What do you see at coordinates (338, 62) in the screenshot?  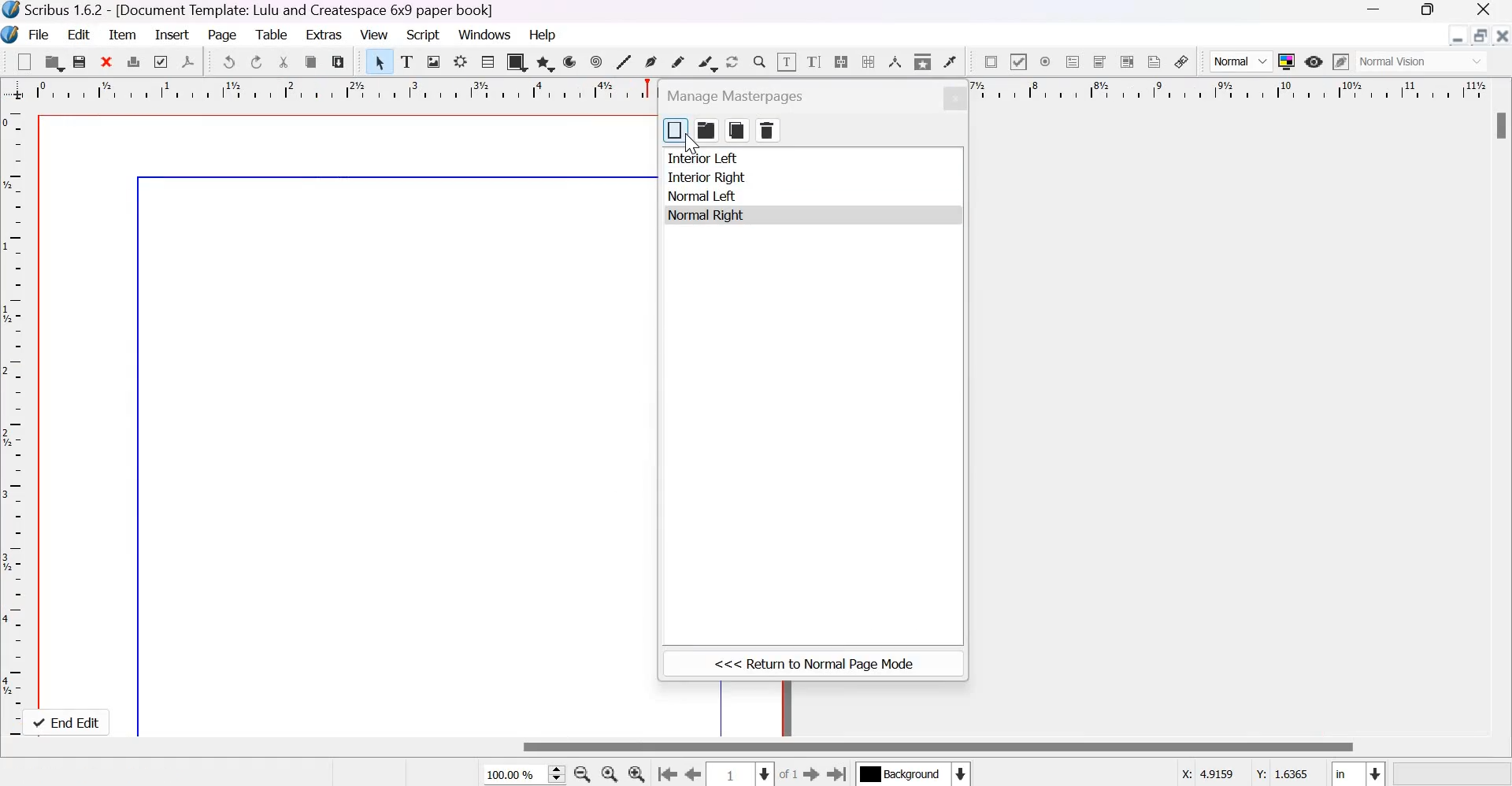 I see `paste` at bounding box center [338, 62].